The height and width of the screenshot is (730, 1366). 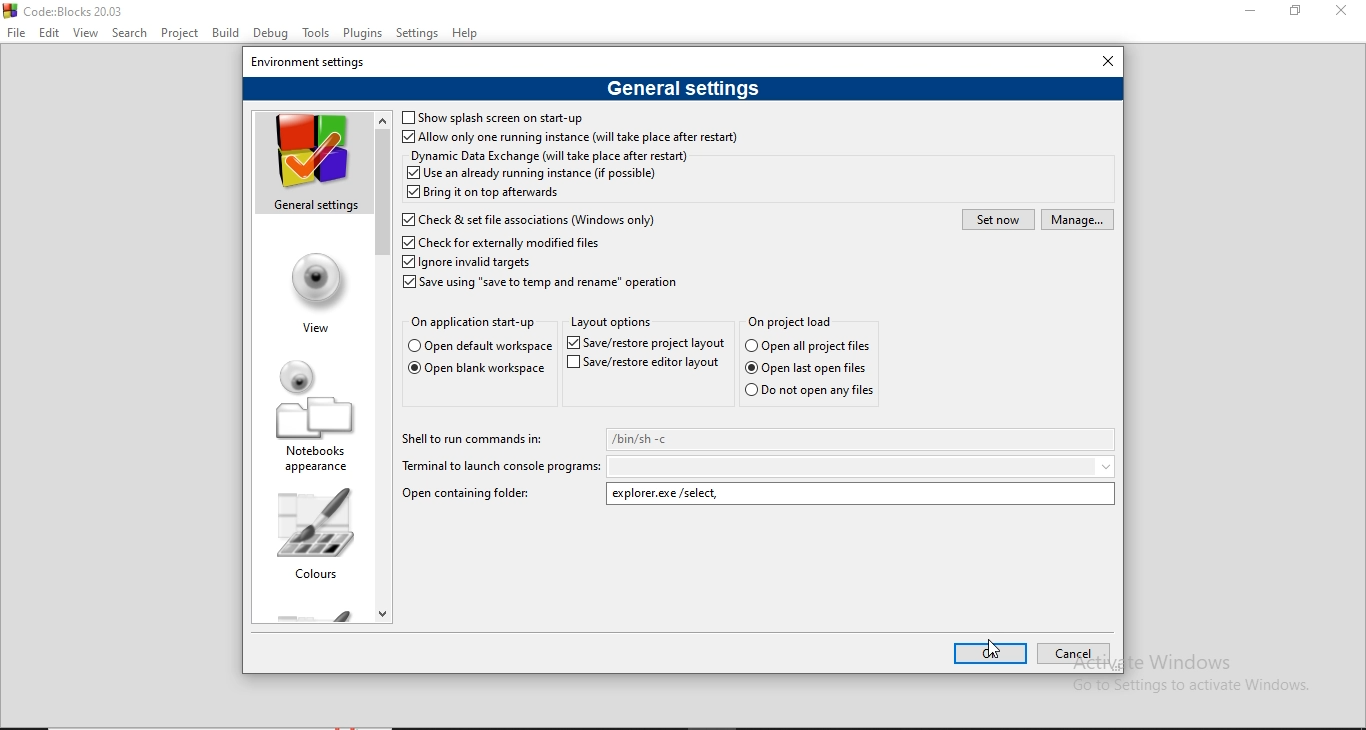 What do you see at coordinates (551, 156) in the screenshot?
I see `Dynamic Data Exchange (will take place after restart` at bounding box center [551, 156].